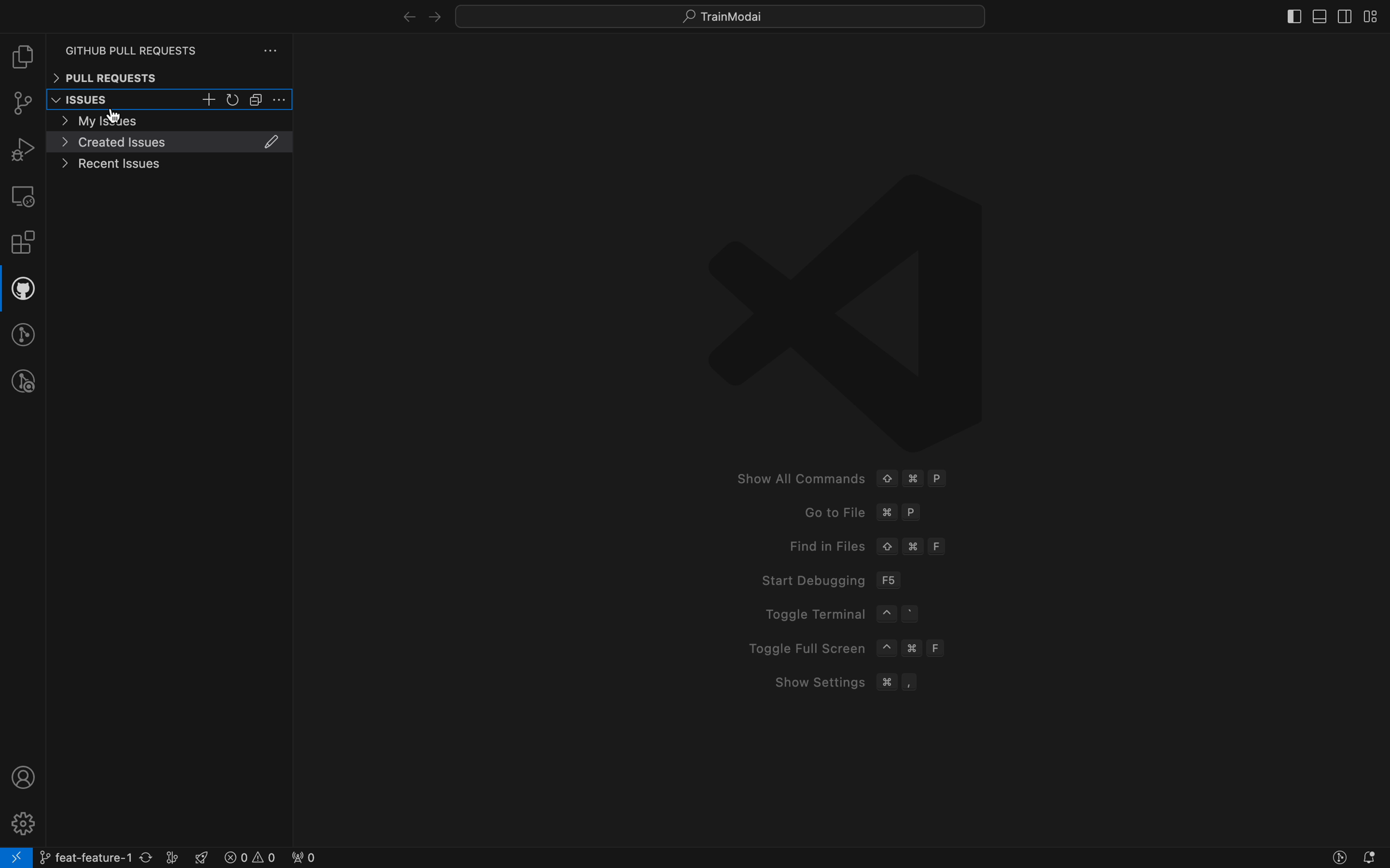  Describe the element at coordinates (24, 105) in the screenshot. I see `git panel` at that location.